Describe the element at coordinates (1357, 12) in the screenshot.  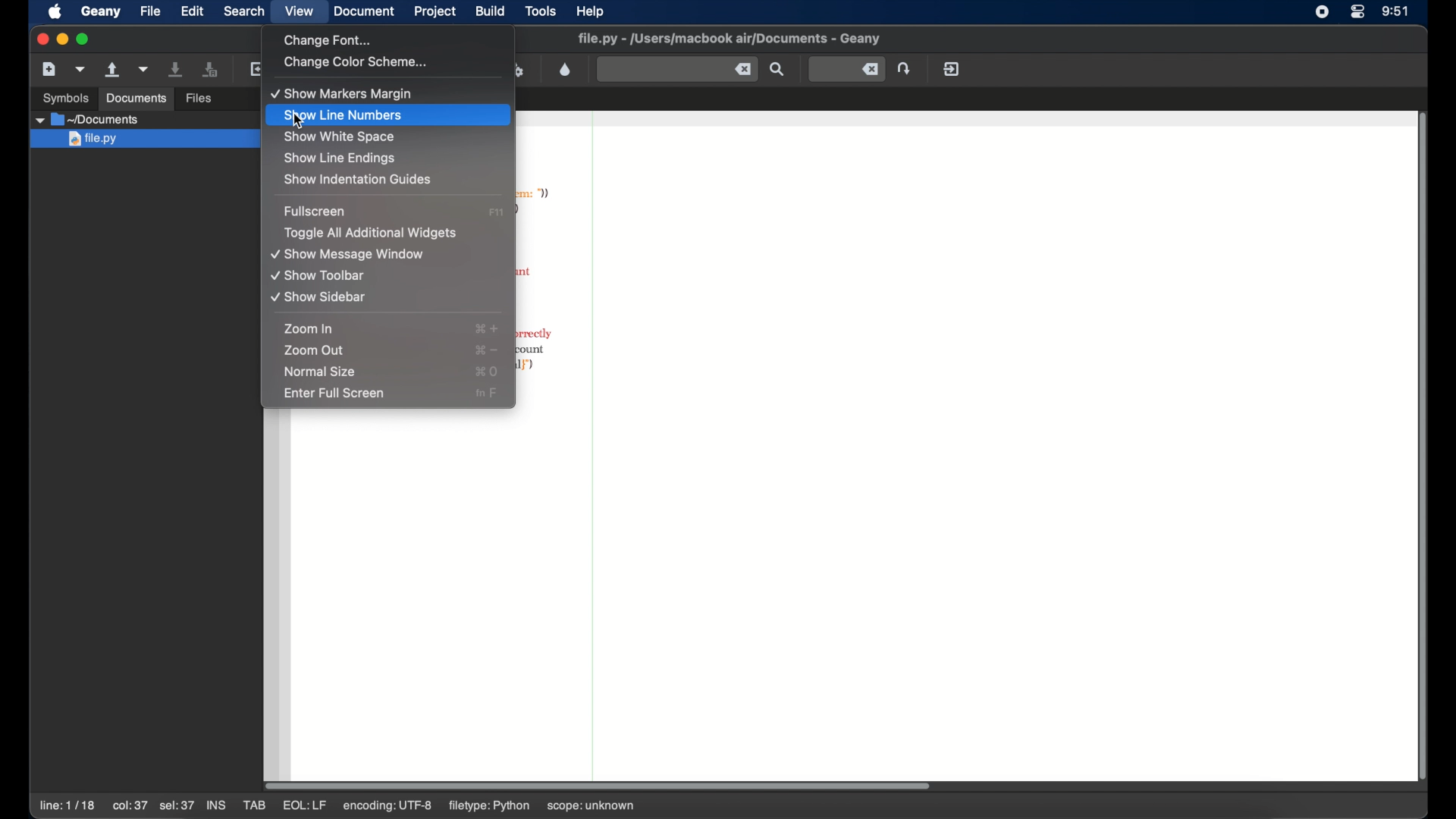
I see `control center` at that location.